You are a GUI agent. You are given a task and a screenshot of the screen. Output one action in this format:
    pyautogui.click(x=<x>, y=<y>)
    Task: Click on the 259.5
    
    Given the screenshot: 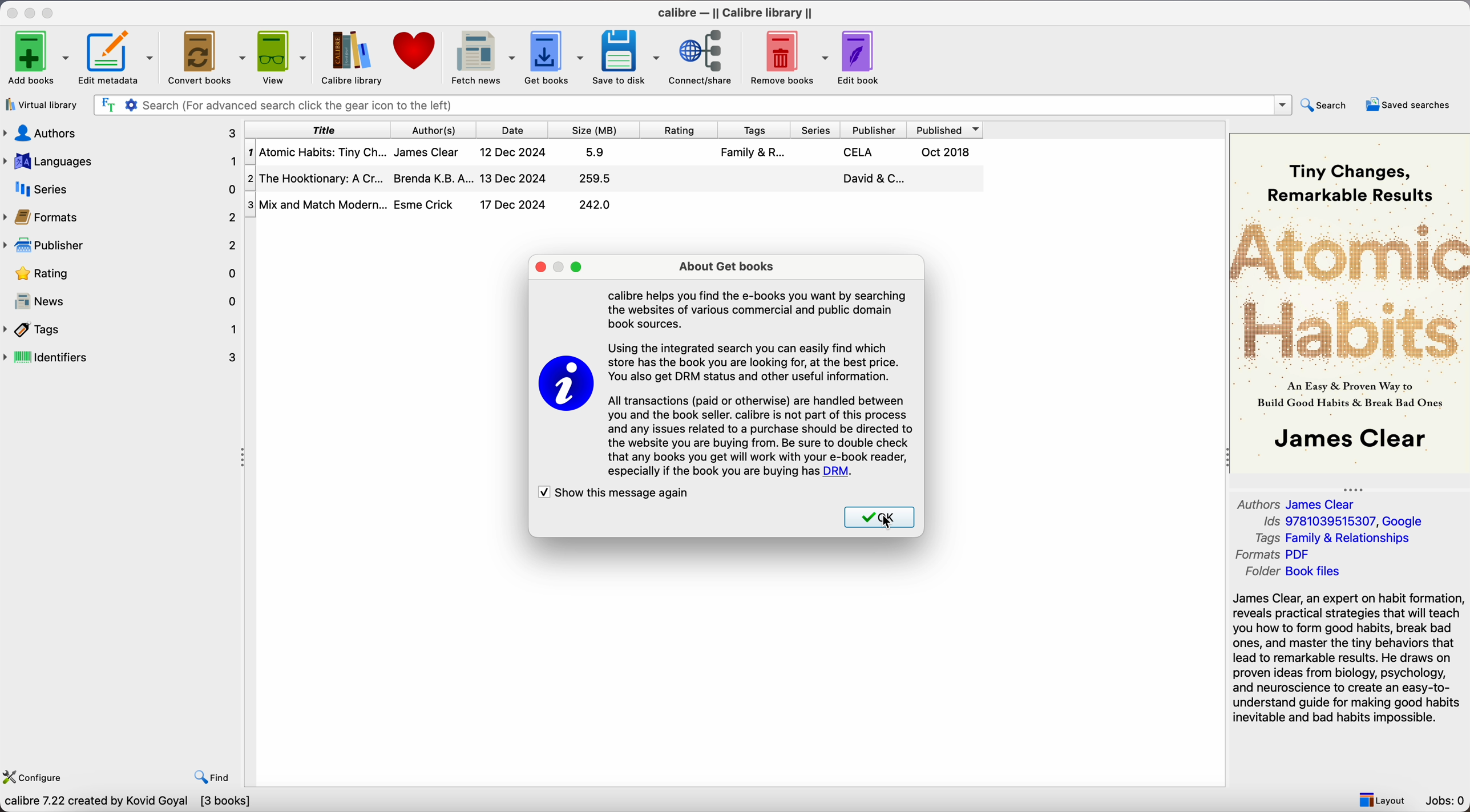 What is the action you would take?
    pyautogui.click(x=597, y=178)
    